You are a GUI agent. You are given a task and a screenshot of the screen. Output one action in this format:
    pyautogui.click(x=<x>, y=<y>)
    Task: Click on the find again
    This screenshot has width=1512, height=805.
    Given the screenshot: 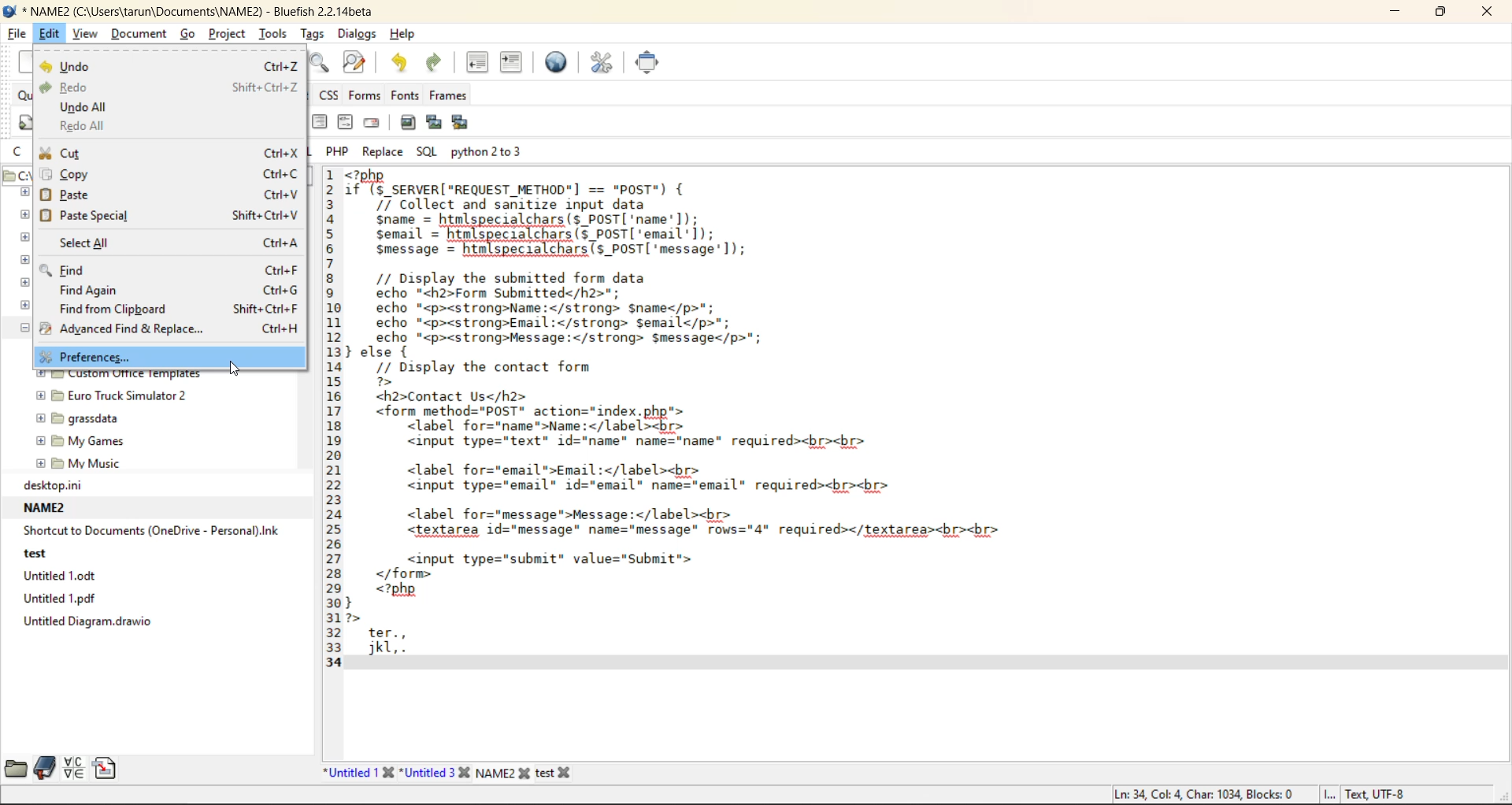 What is the action you would take?
    pyautogui.click(x=178, y=291)
    